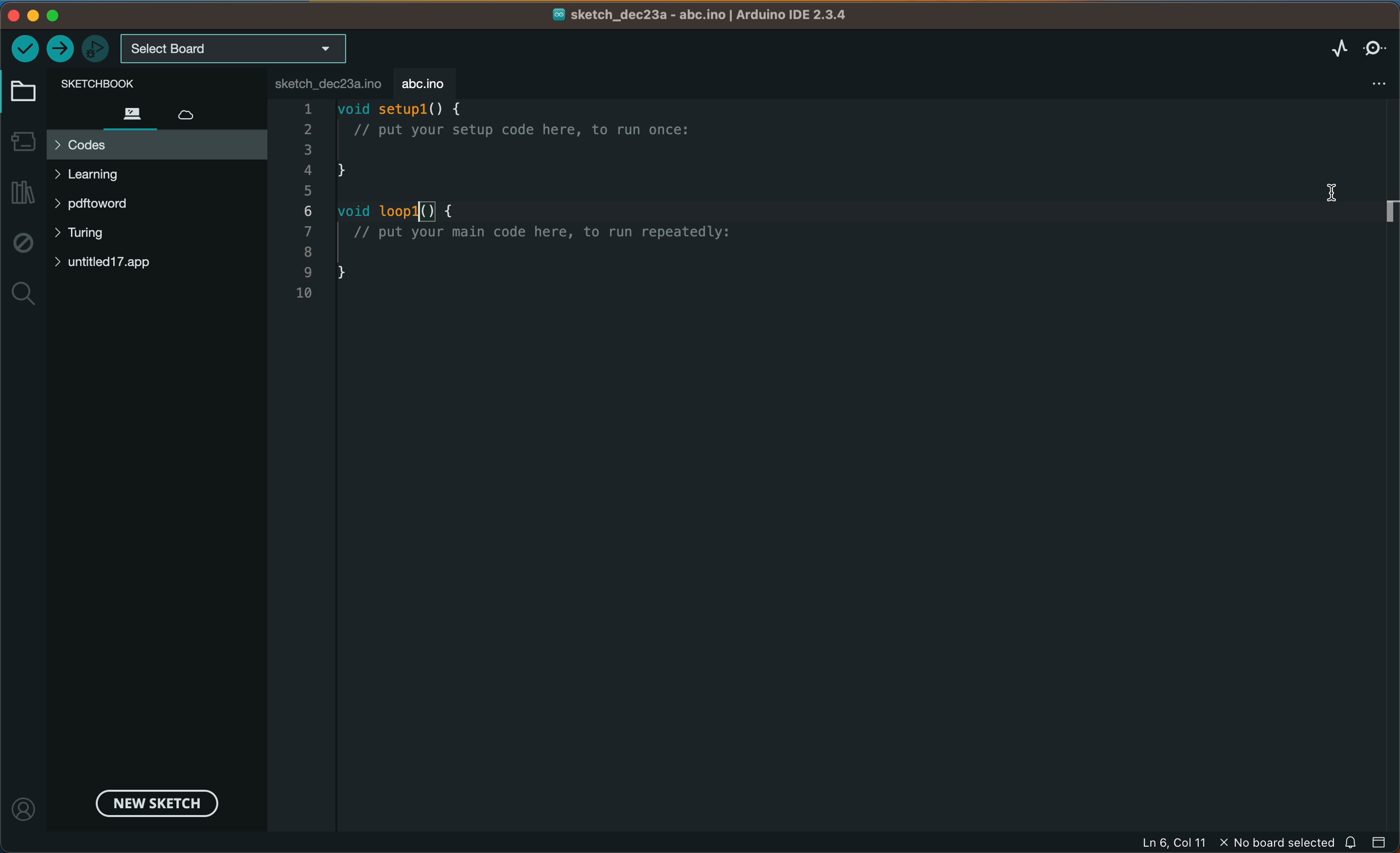 The width and height of the screenshot is (1400, 853). I want to click on upload, so click(60, 49).